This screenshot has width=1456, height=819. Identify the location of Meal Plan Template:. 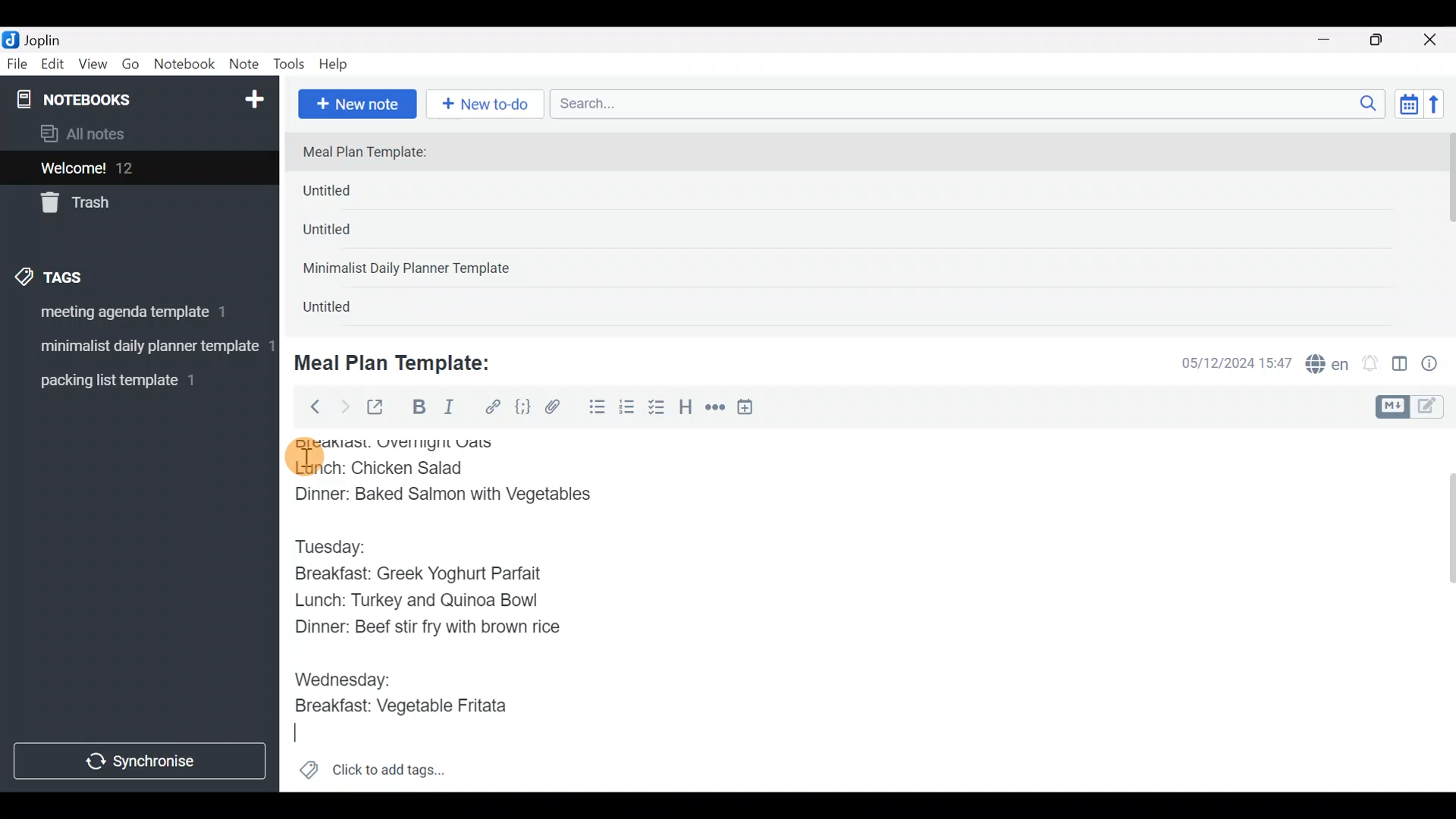
(402, 361).